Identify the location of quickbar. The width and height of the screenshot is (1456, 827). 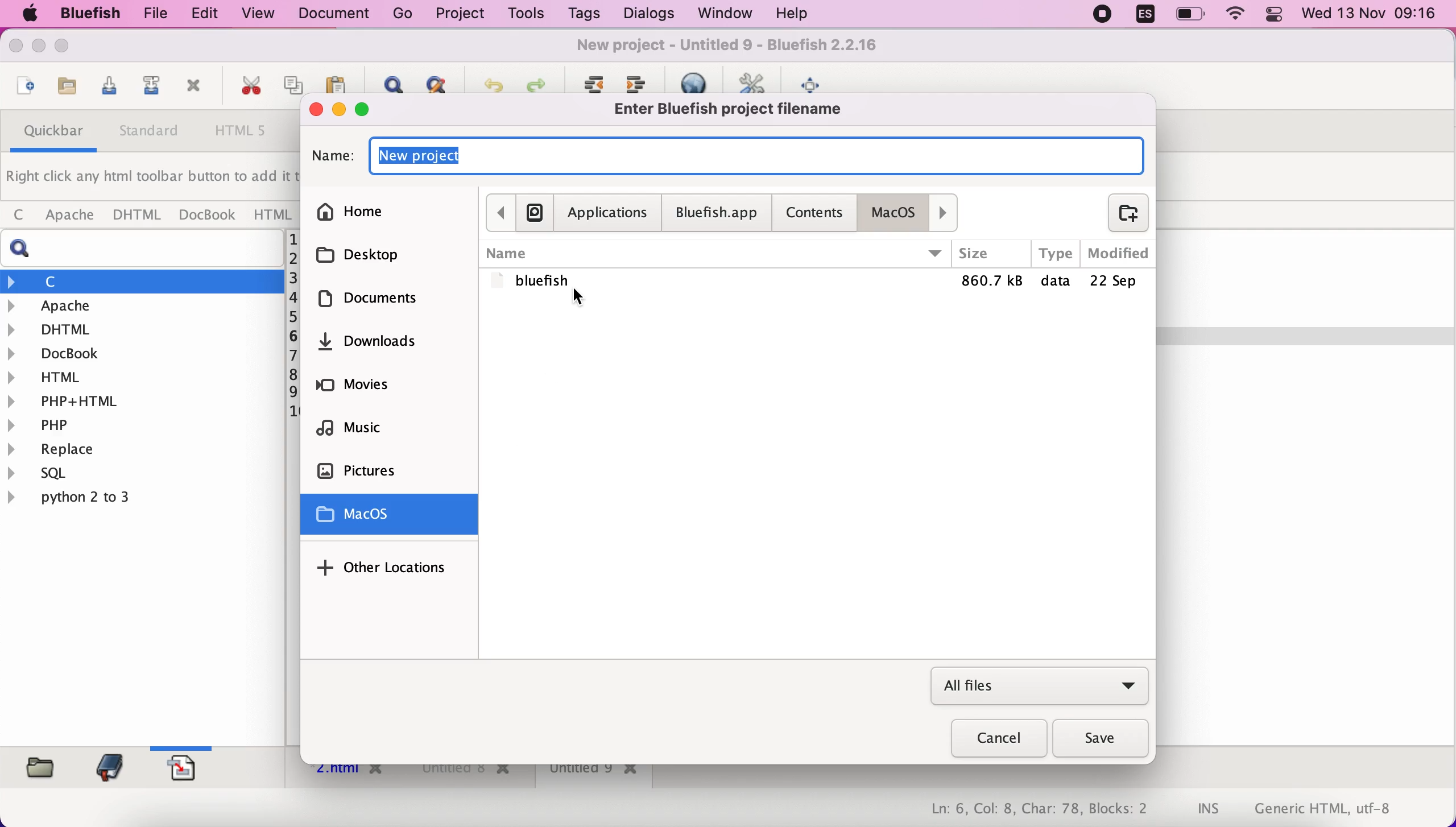
(50, 134).